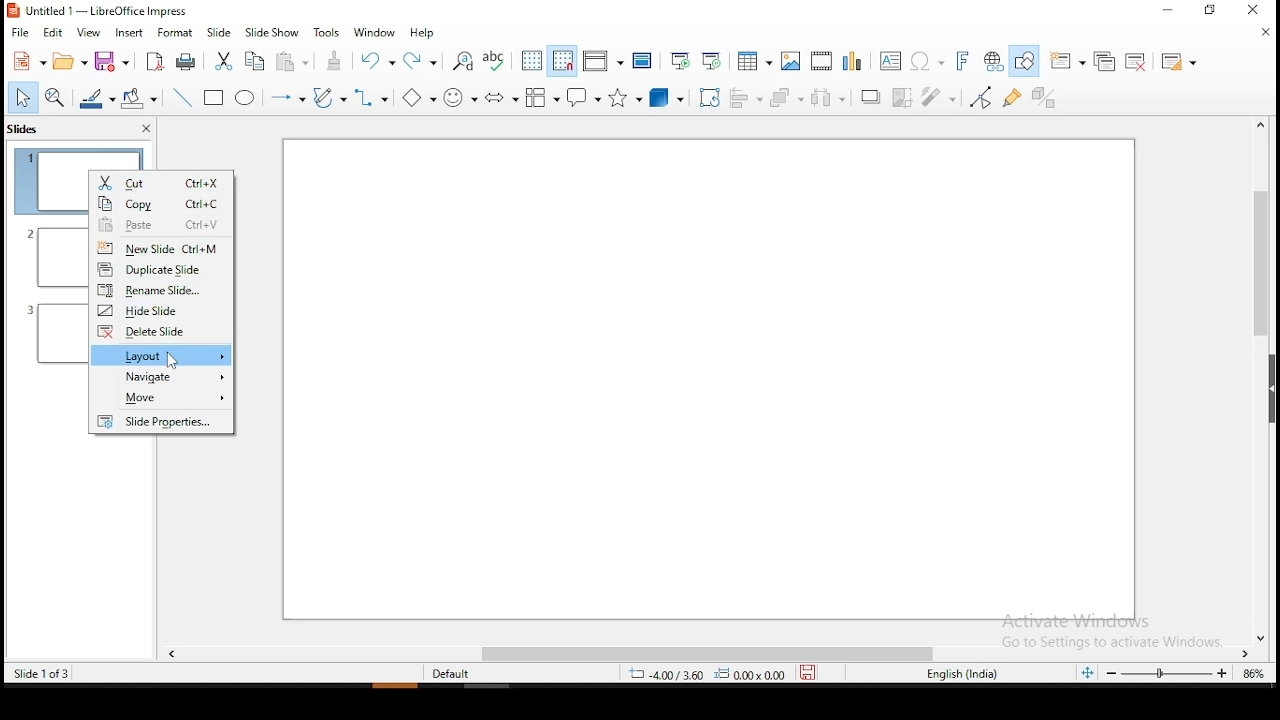  What do you see at coordinates (984, 96) in the screenshot?
I see `toggle point edit mode` at bounding box center [984, 96].